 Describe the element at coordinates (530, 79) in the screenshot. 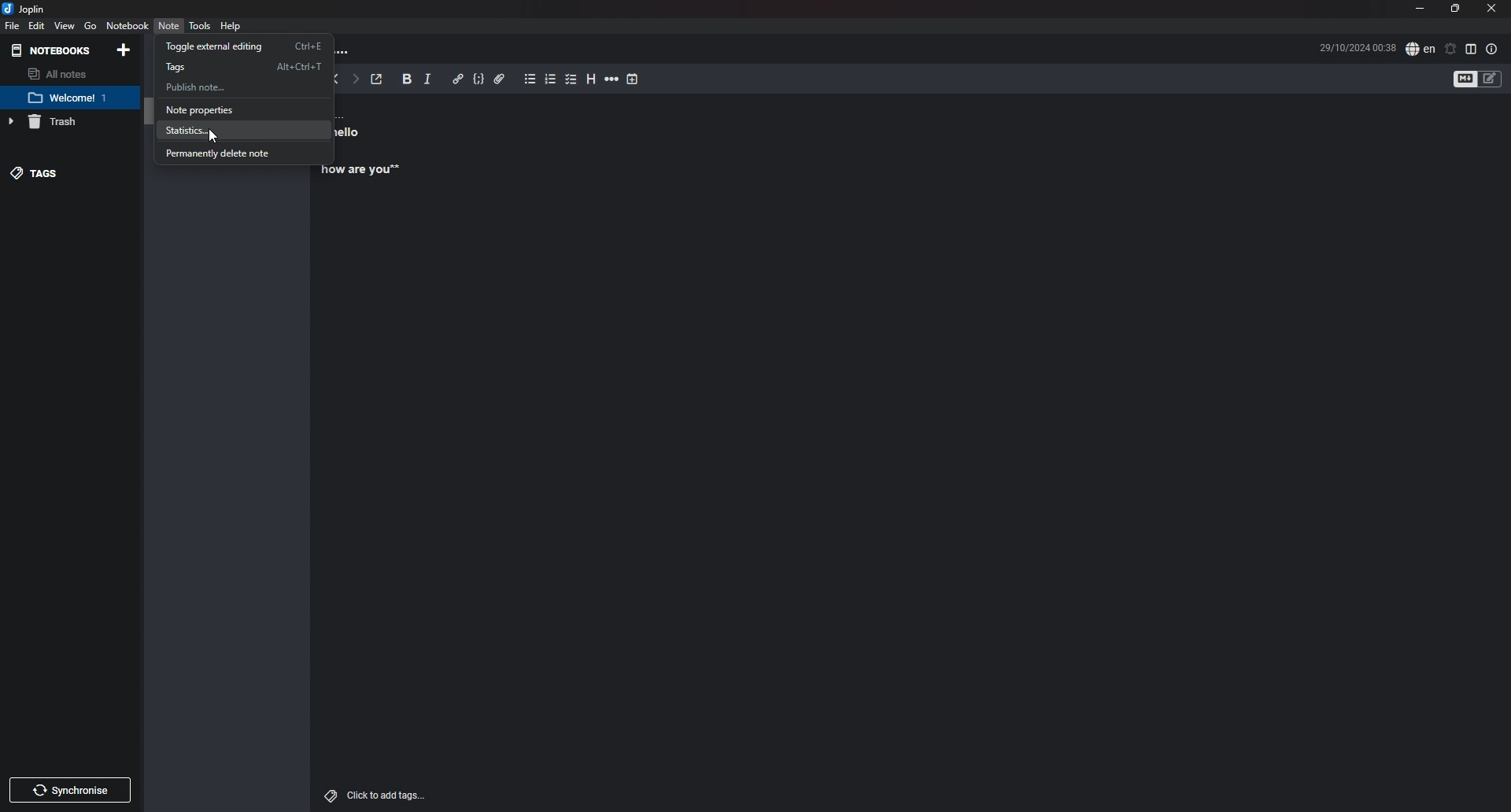

I see `Bullet list` at that location.